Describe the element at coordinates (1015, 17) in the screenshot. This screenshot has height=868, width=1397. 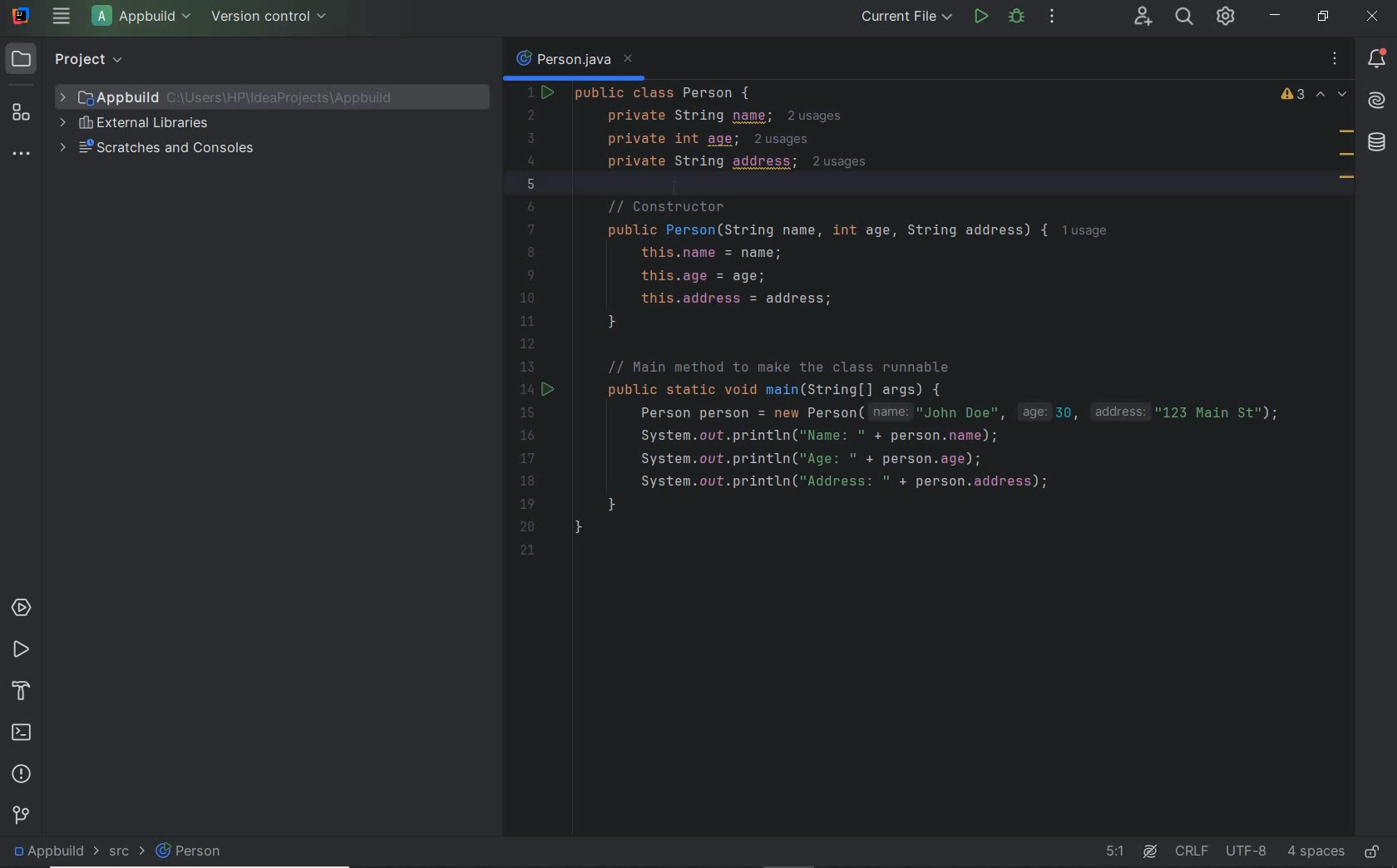
I see `debug` at that location.